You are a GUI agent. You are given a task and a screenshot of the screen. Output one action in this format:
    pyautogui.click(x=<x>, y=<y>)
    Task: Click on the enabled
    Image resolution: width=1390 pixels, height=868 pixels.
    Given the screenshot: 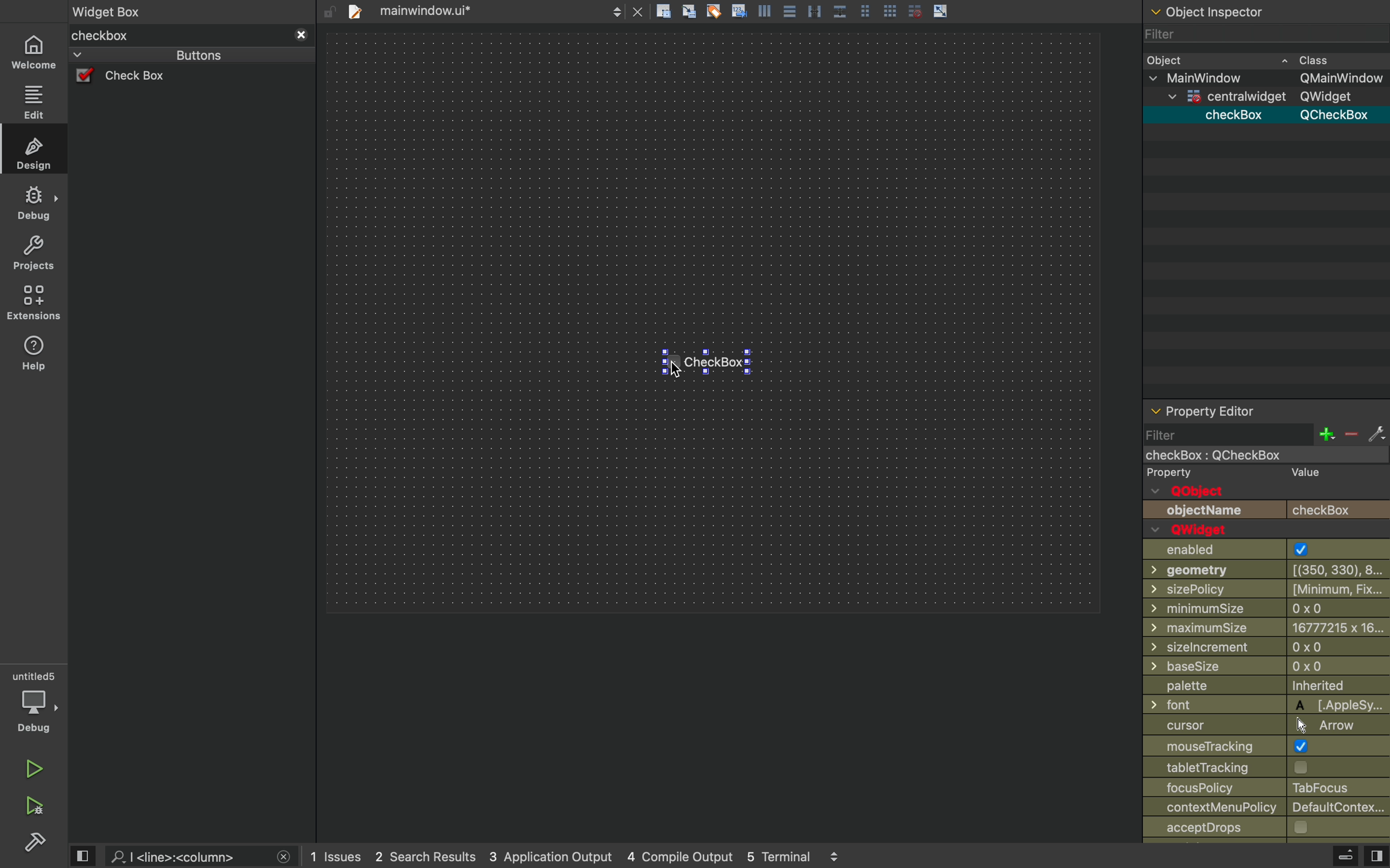 What is the action you would take?
    pyautogui.click(x=1257, y=550)
    